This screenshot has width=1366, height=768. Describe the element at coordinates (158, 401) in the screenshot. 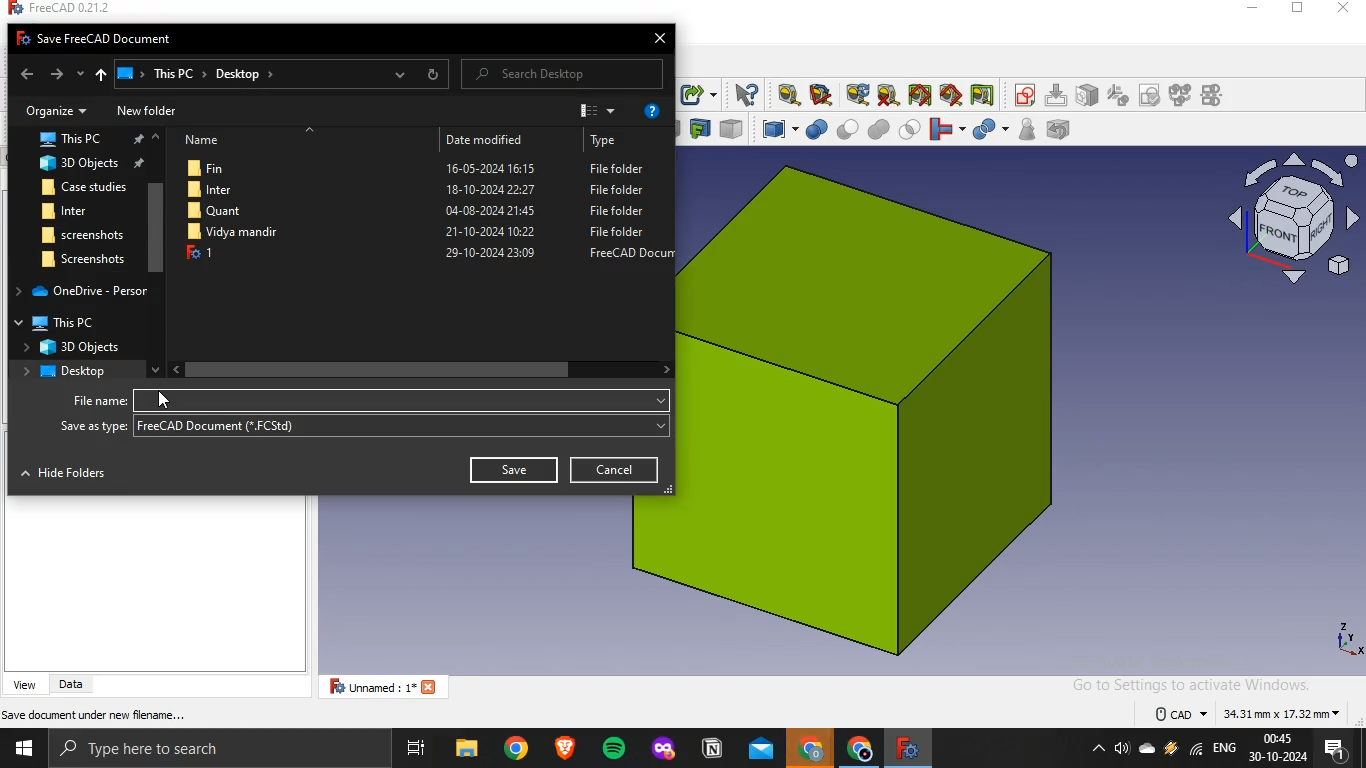

I see `filename` at that location.